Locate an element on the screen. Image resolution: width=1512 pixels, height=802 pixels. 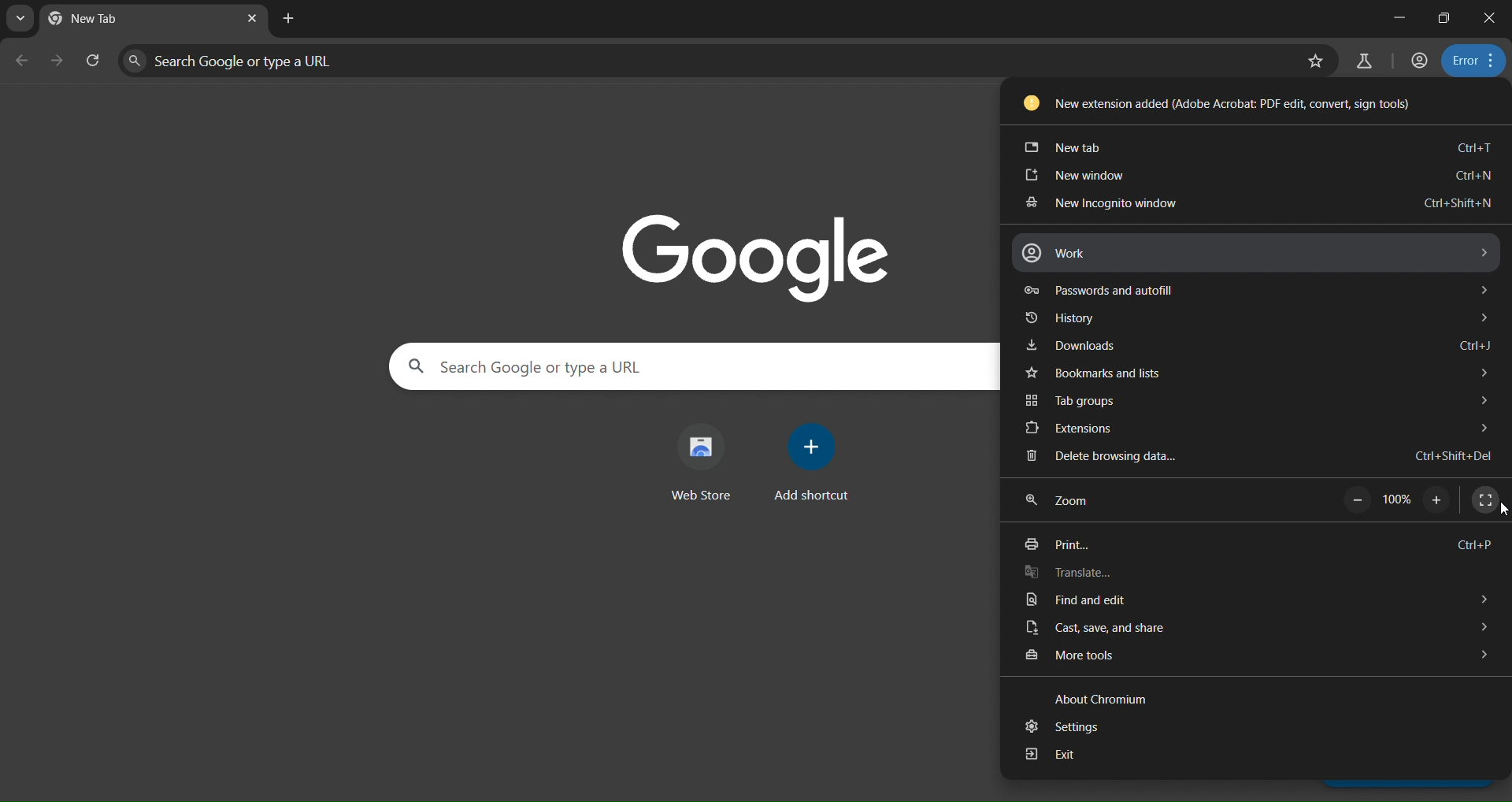
close is located at coordinates (1488, 17).